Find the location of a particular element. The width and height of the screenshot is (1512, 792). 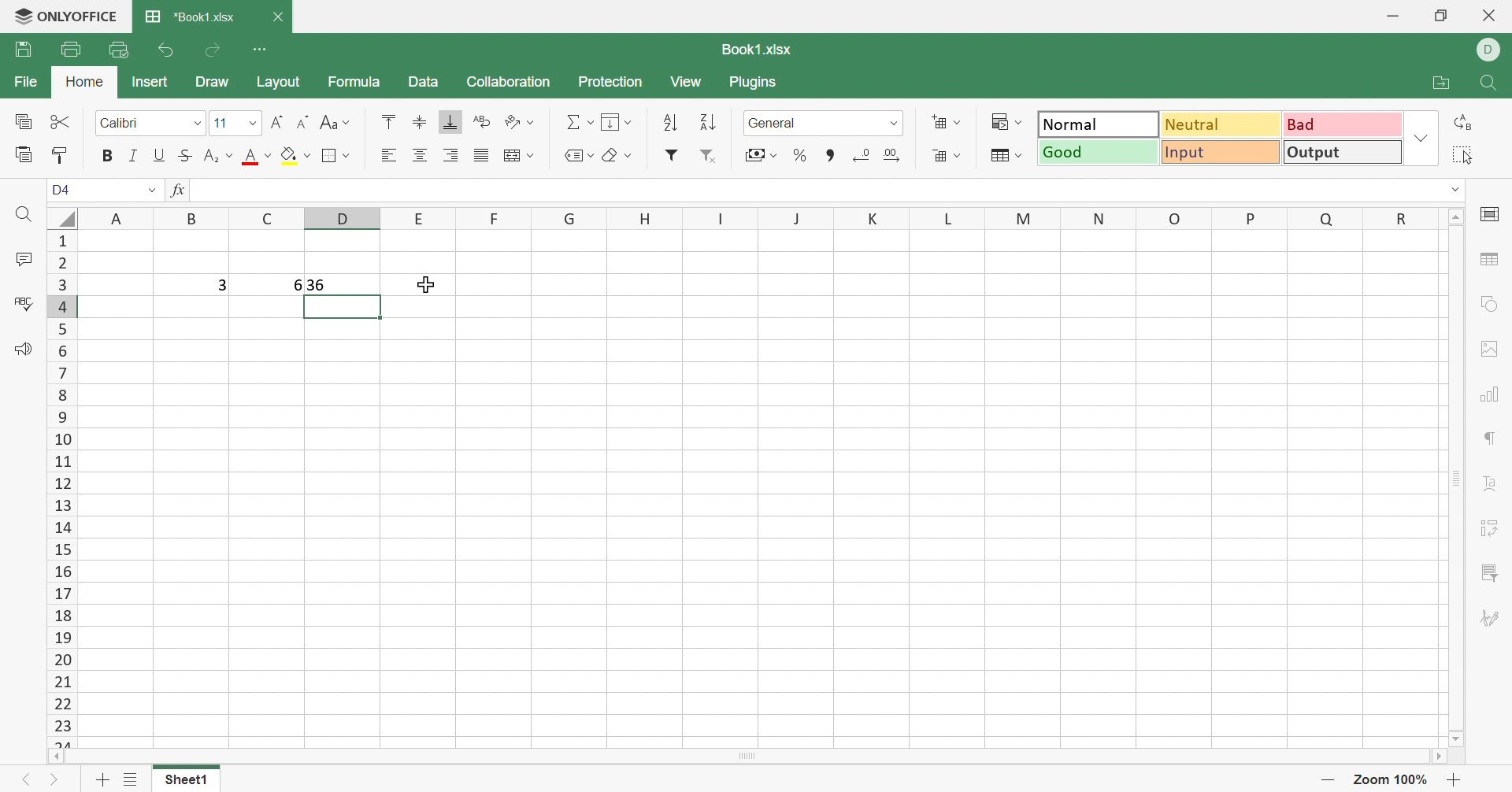

File is located at coordinates (29, 82).